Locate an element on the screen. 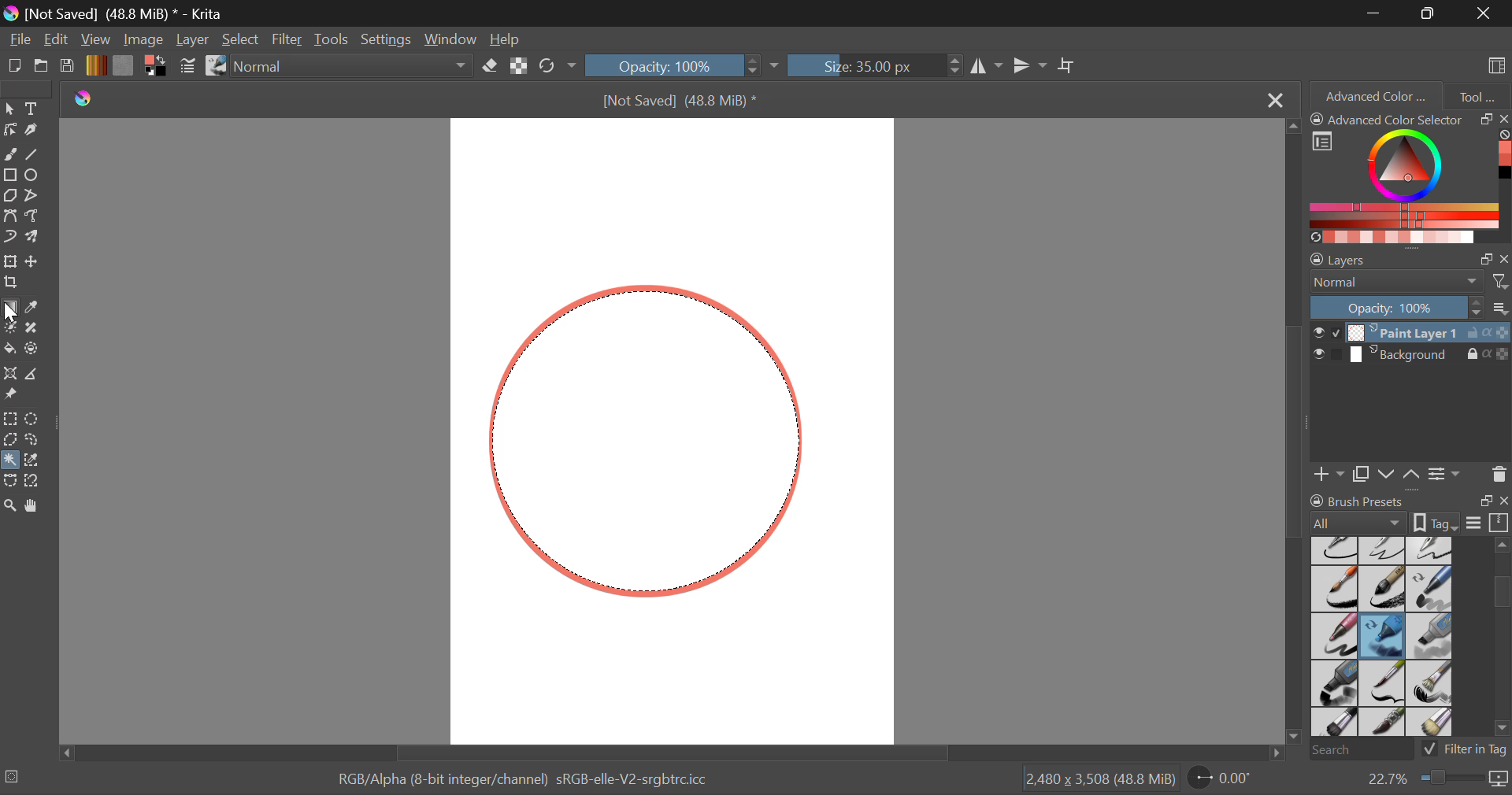 This screenshot has height=795, width=1512. Ink-8 Sumi-e is located at coordinates (1382, 590).